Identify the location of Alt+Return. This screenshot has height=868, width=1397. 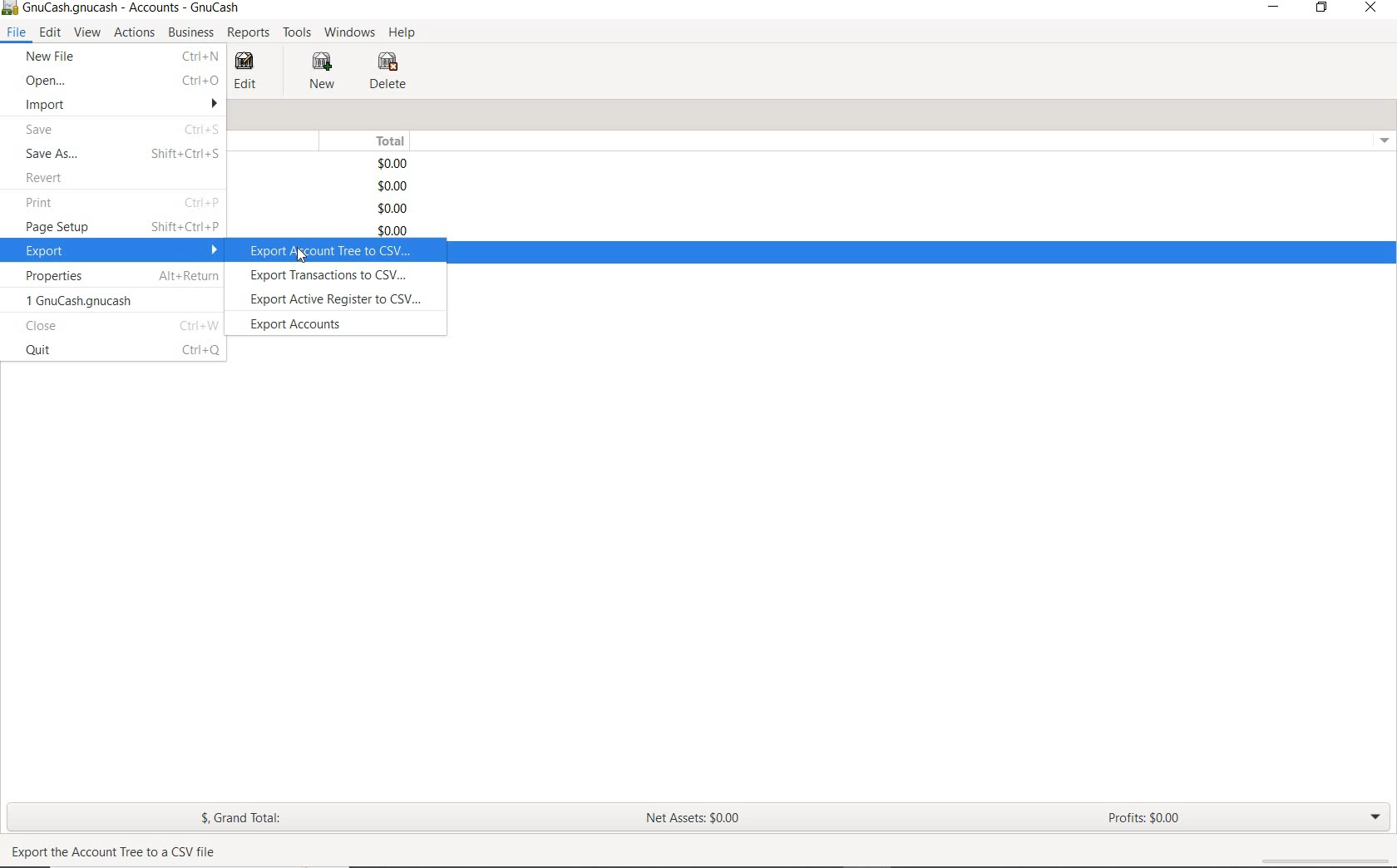
(190, 274).